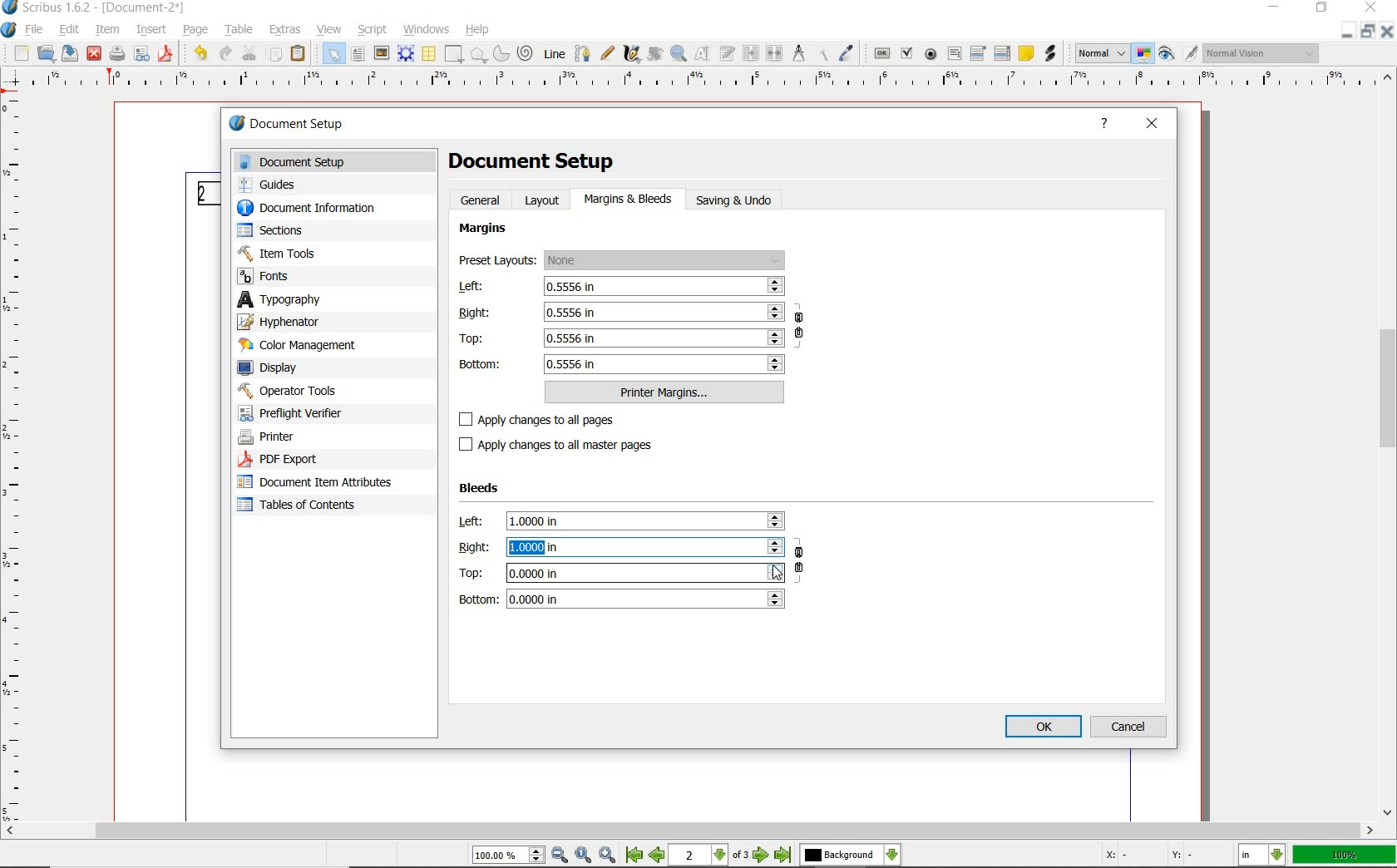 The width and height of the screenshot is (1397, 868). Describe the element at coordinates (850, 856) in the screenshot. I see `select the current layer` at that location.